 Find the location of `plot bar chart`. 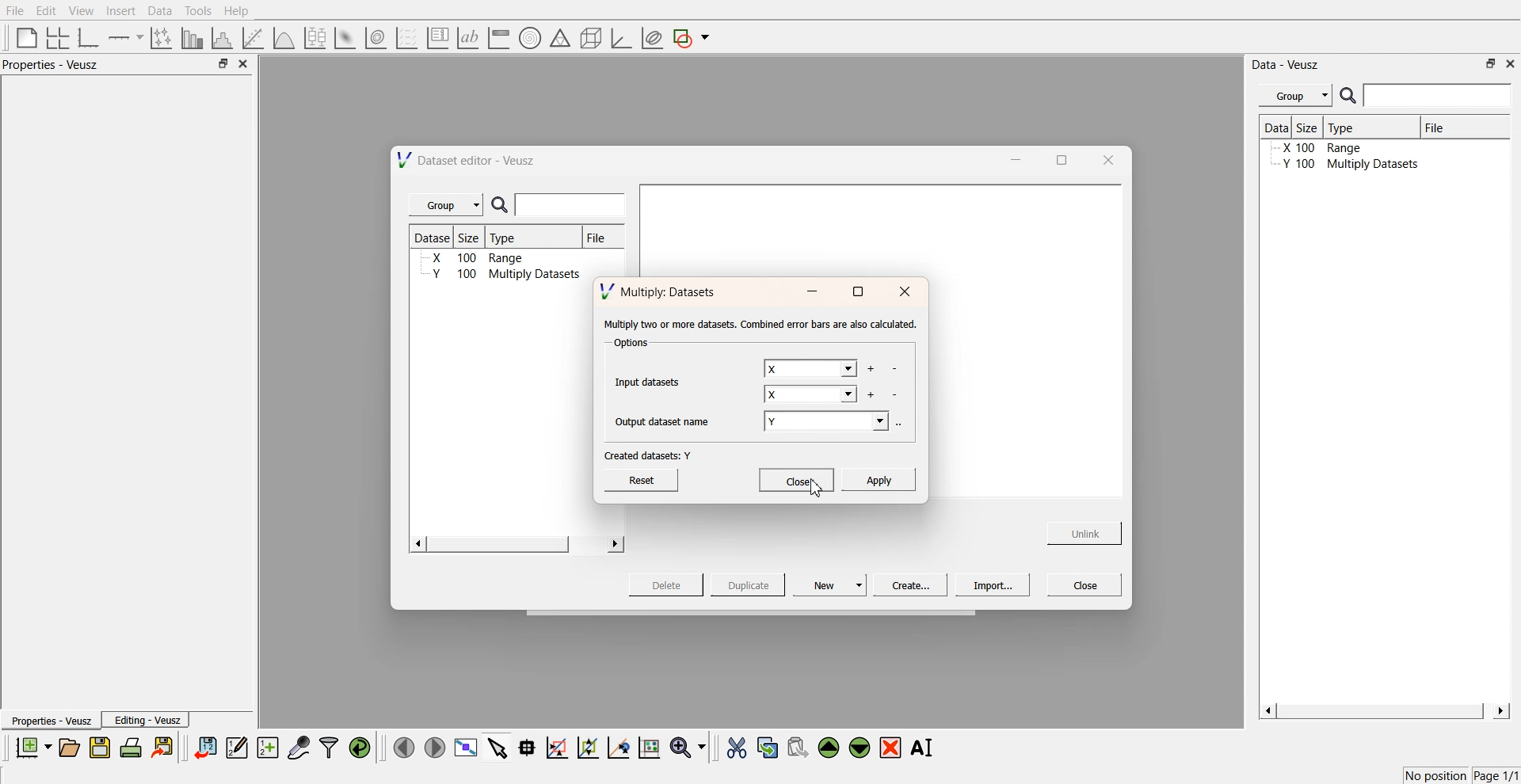

plot bar chart is located at coordinates (192, 39).